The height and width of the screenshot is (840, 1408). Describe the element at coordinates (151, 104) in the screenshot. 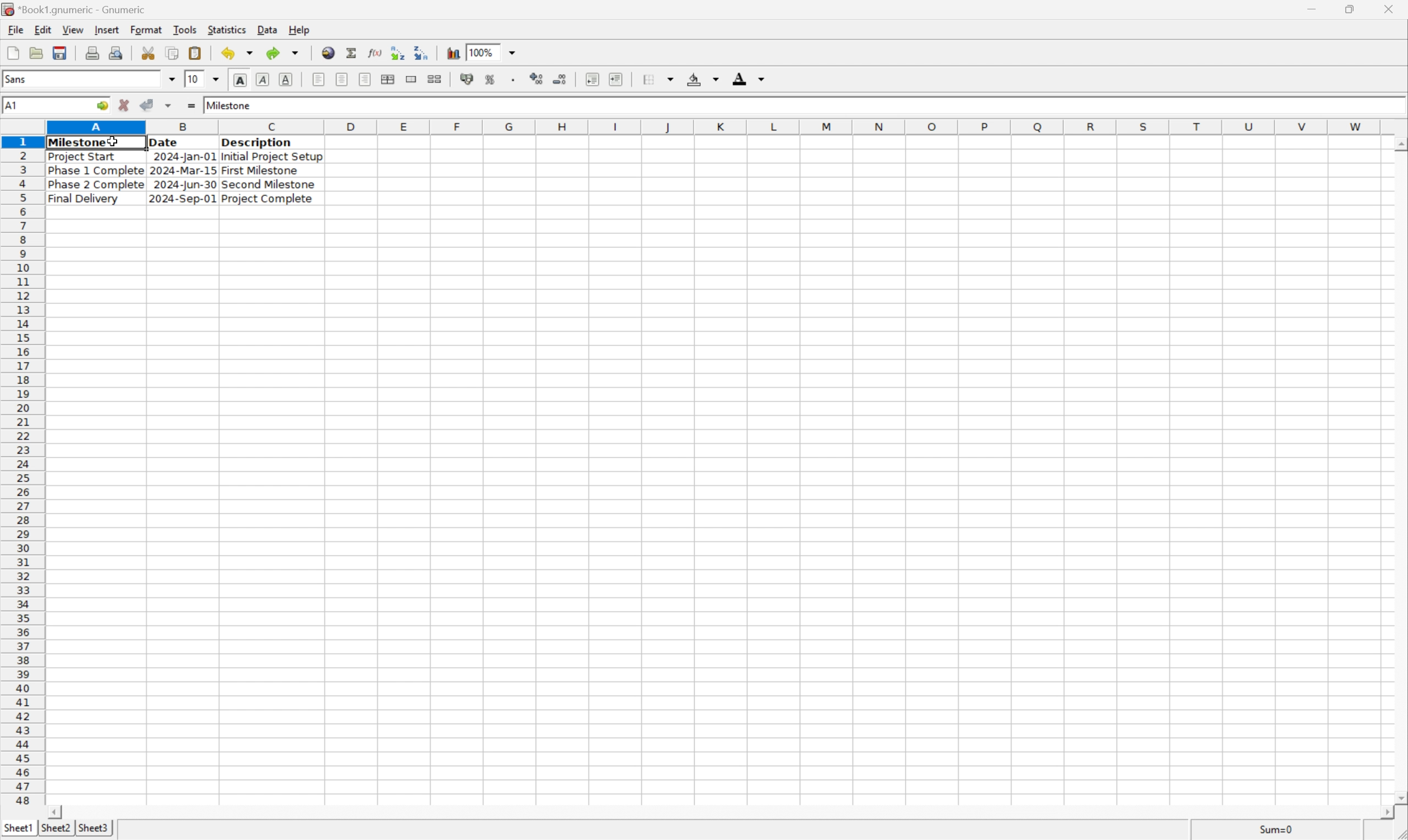

I see `accept changes` at that location.